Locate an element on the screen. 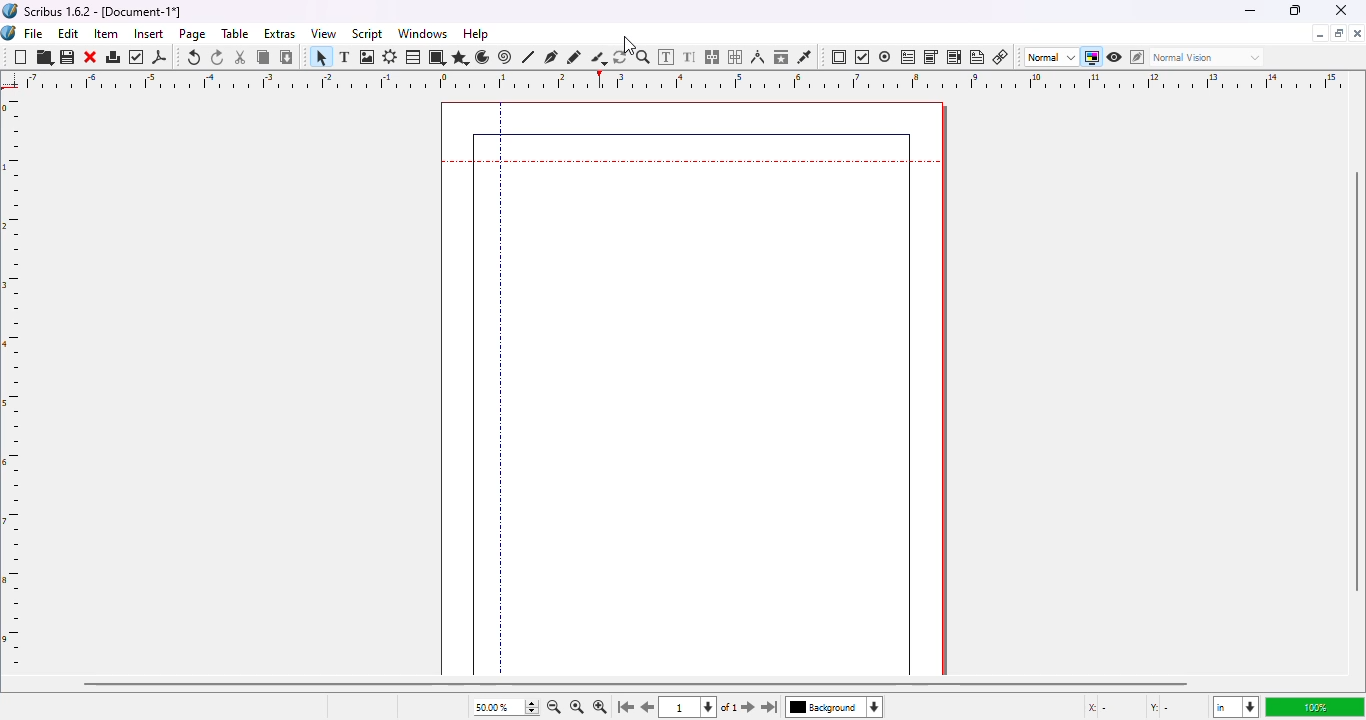 This screenshot has height=720, width=1366. copy is located at coordinates (263, 57).